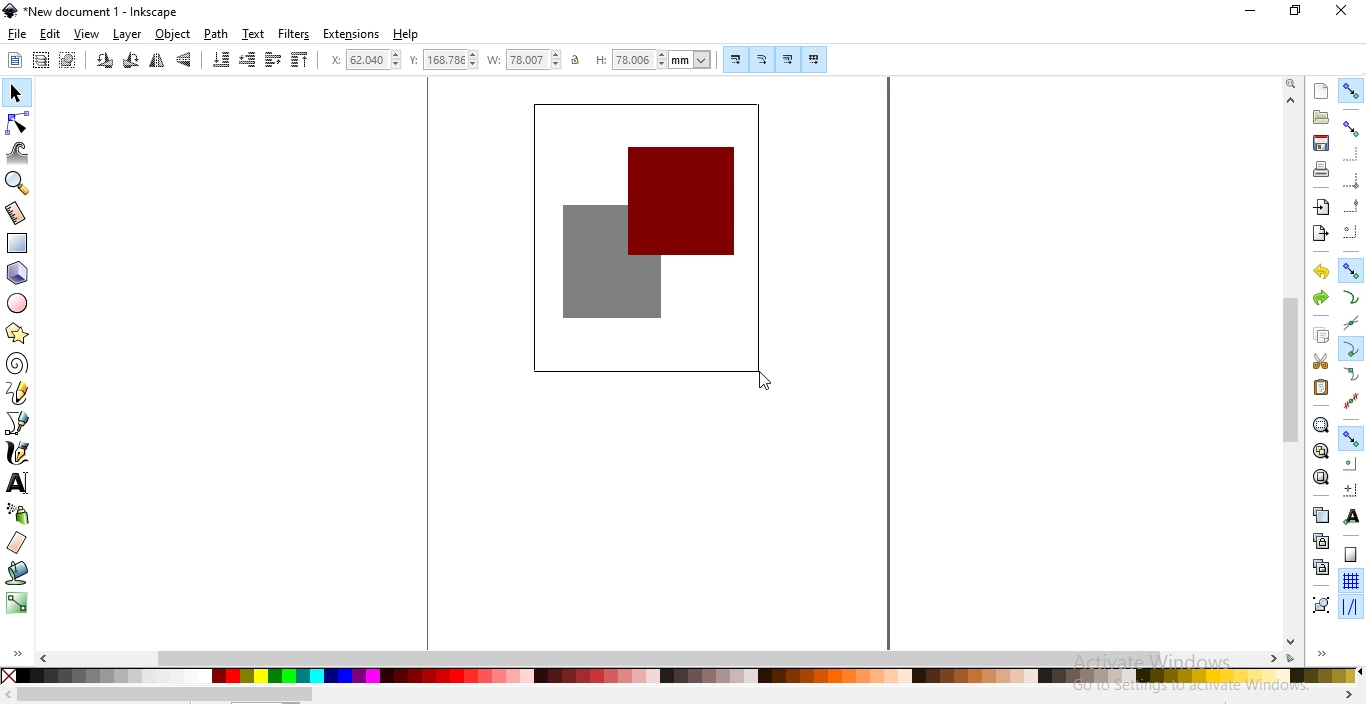 The width and height of the screenshot is (1366, 704). Describe the element at coordinates (173, 34) in the screenshot. I see `object` at that location.